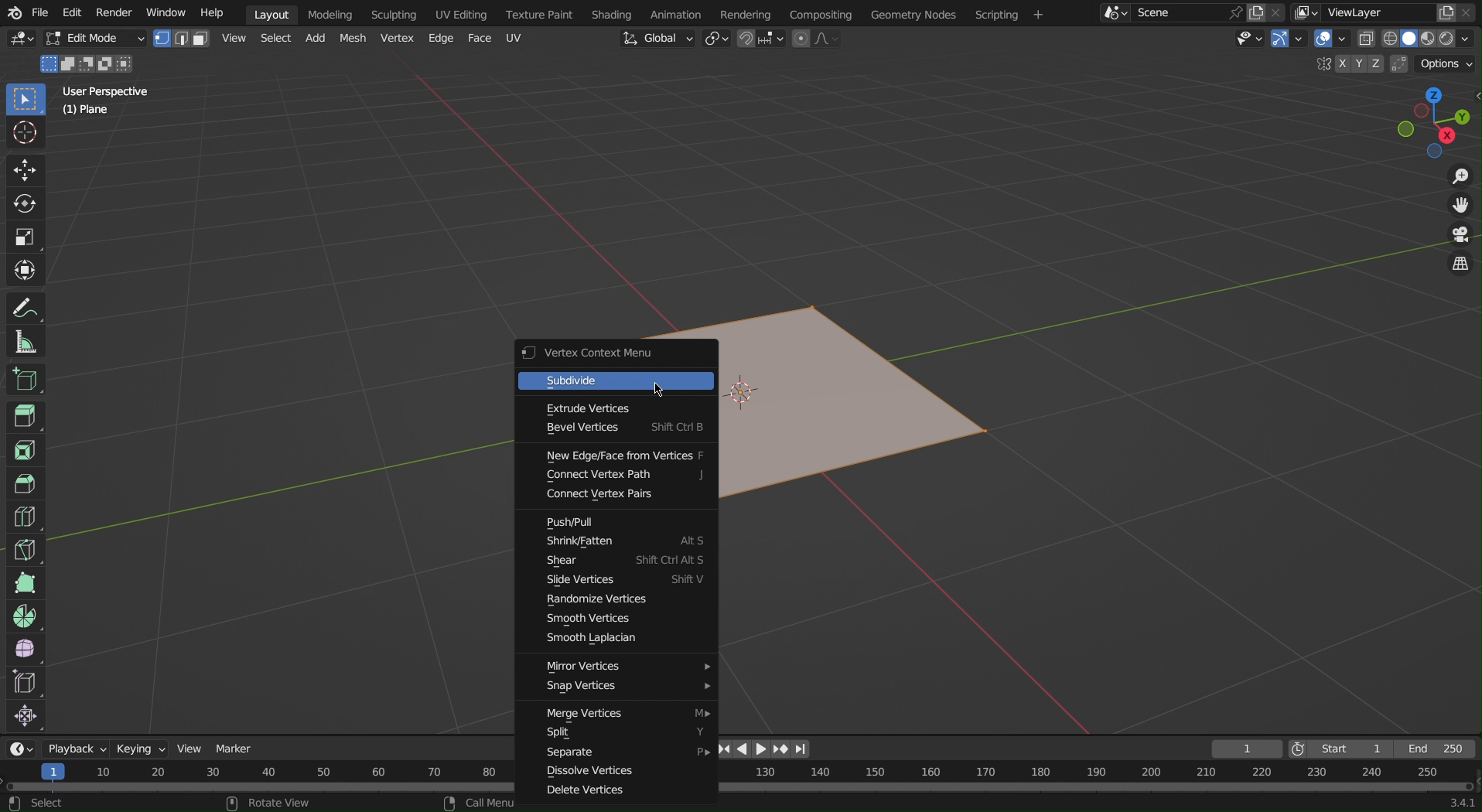 The image size is (1482, 812). Describe the element at coordinates (396, 39) in the screenshot. I see `Vertex` at that location.